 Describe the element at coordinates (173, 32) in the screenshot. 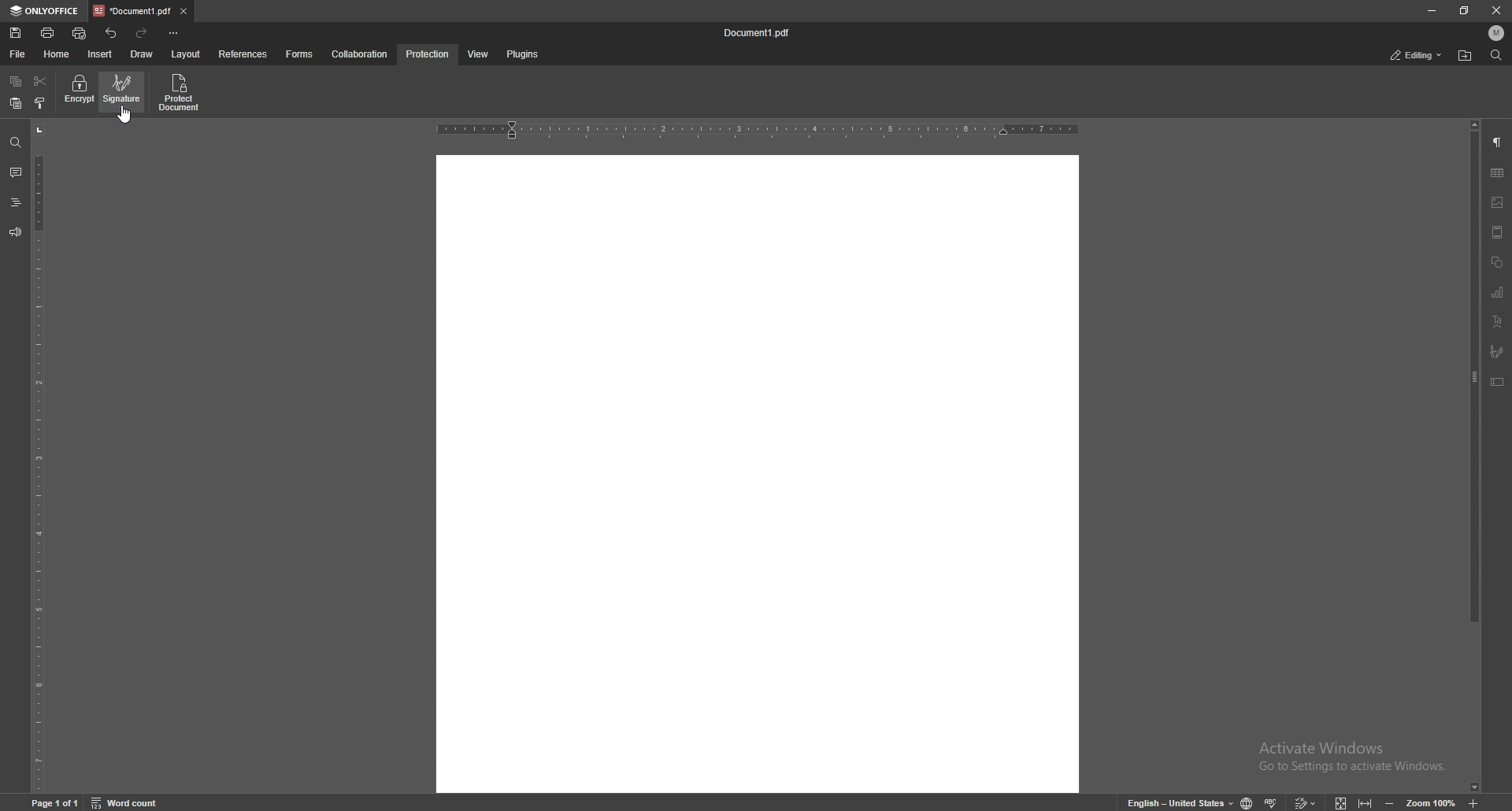

I see `customize toolbar` at that location.